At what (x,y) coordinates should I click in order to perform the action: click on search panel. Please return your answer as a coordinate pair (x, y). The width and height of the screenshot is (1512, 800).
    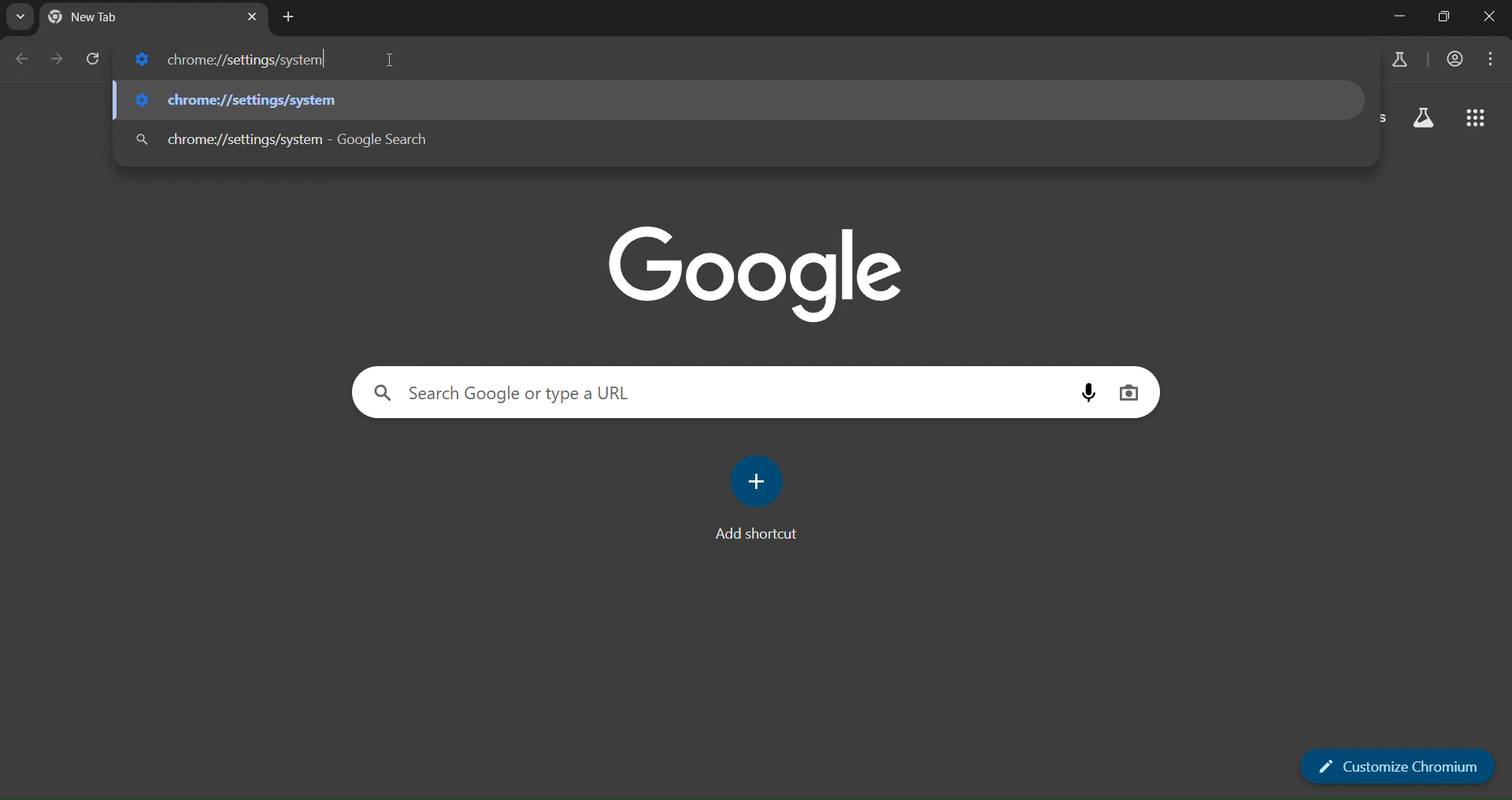
    Looking at the image, I should click on (517, 392).